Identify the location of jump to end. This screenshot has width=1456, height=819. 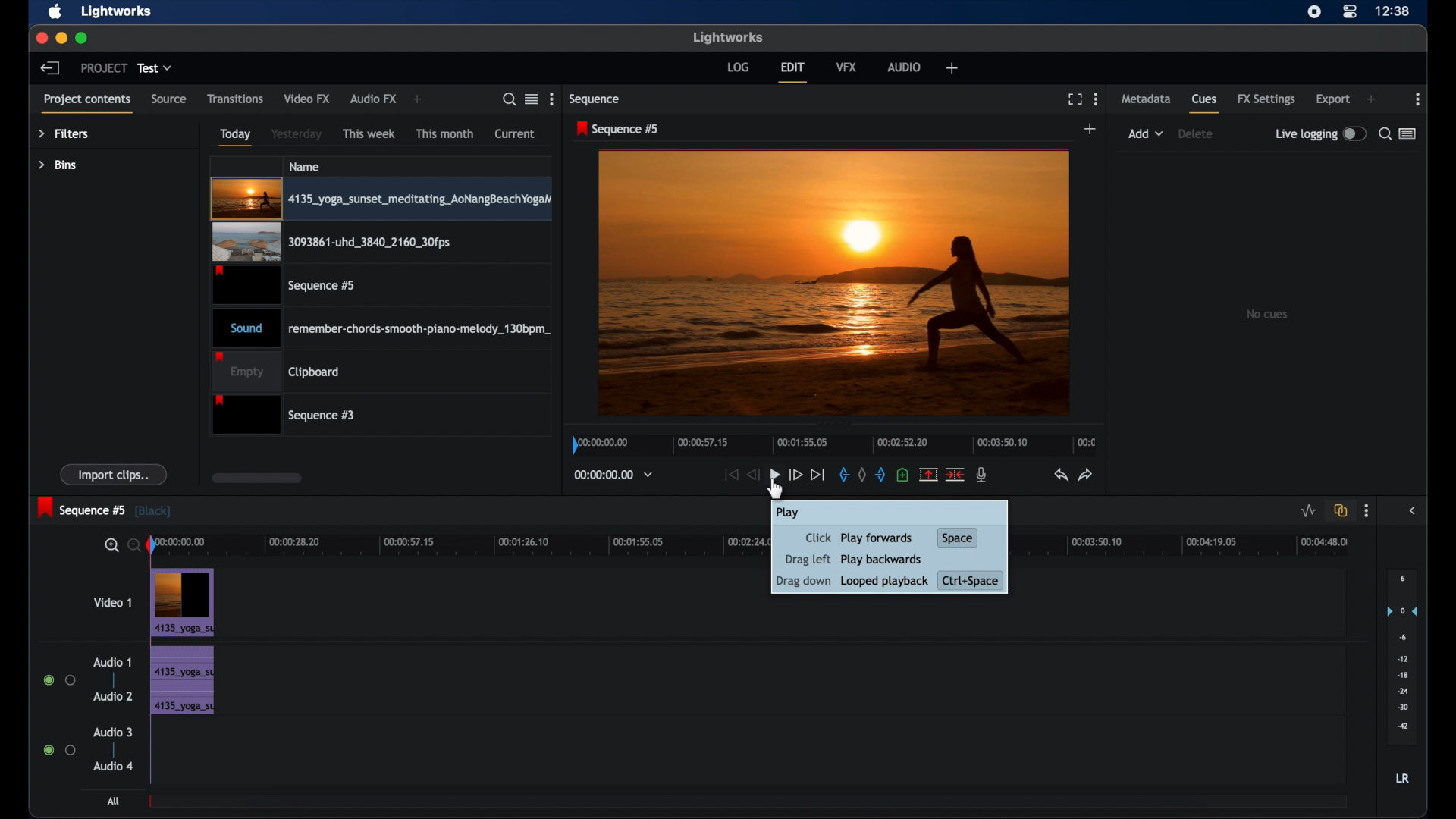
(817, 474).